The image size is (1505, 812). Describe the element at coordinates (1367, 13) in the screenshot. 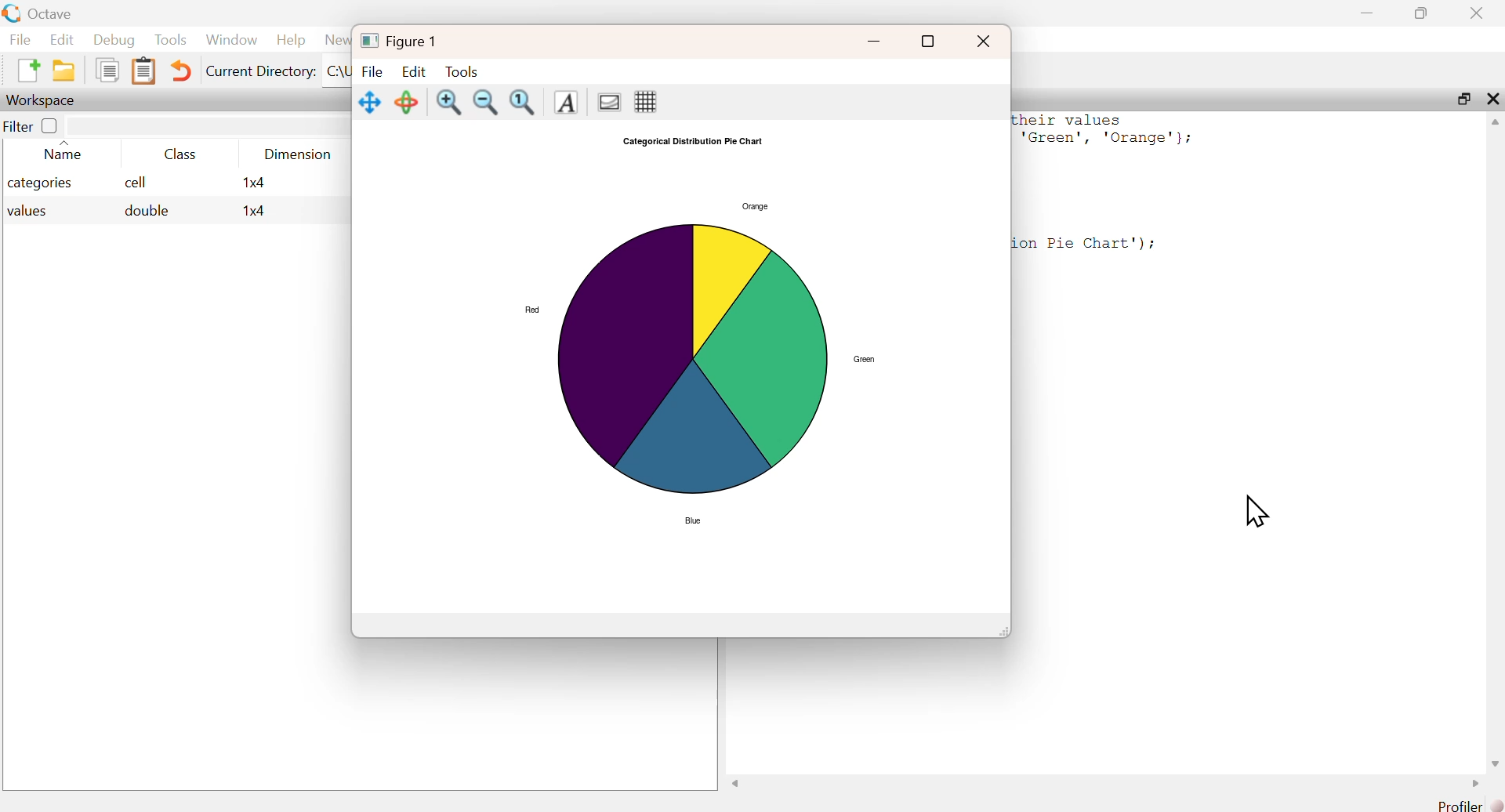

I see `minimize` at that location.